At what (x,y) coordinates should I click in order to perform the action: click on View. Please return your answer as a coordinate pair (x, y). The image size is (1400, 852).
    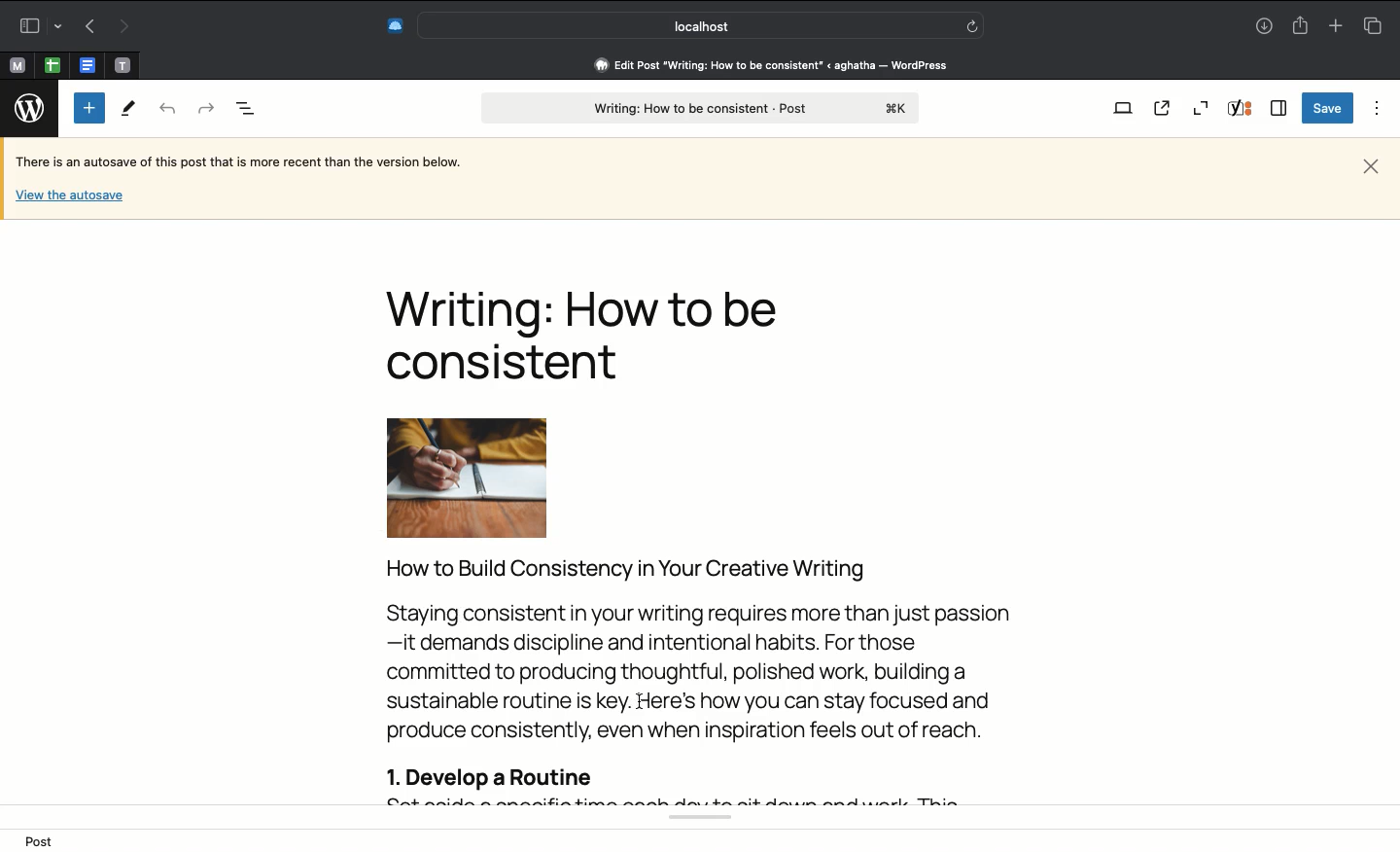
    Looking at the image, I should click on (1122, 110).